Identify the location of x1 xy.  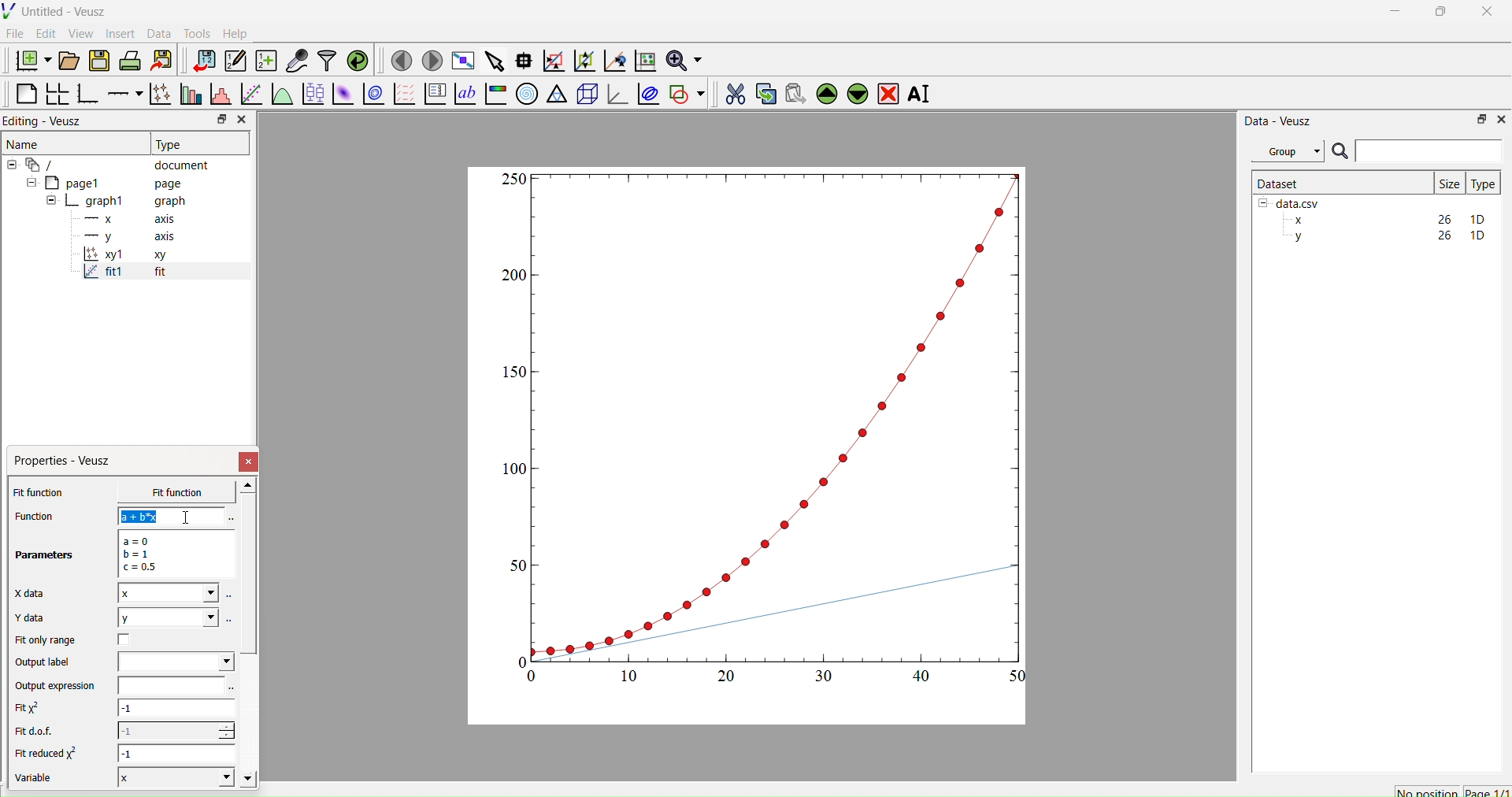
(124, 256).